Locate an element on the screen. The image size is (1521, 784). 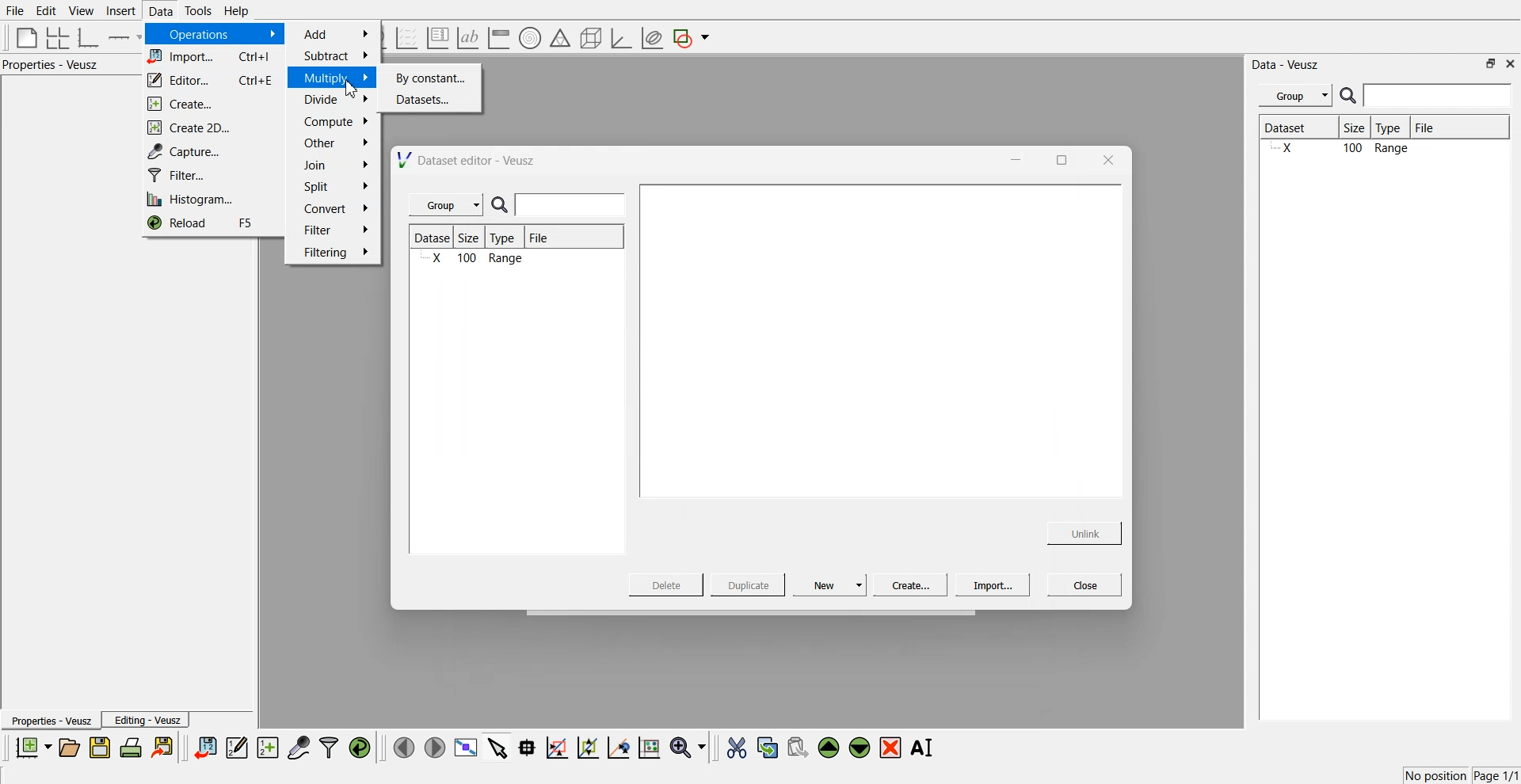
cursor is located at coordinates (352, 91).